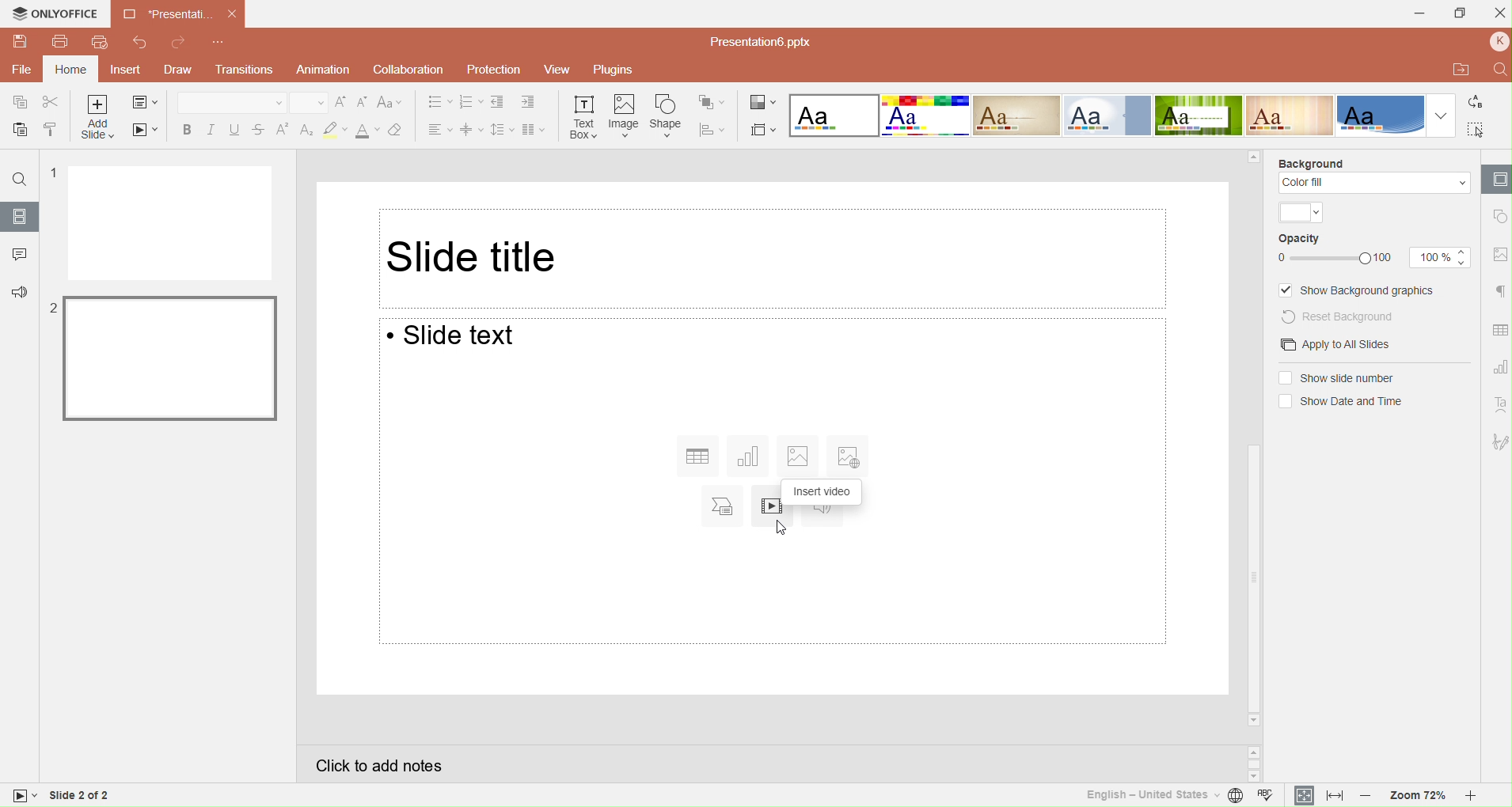 Image resolution: width=1512 pixels, height=807 pixels. I want to click on Replace, so click(1476, 100).